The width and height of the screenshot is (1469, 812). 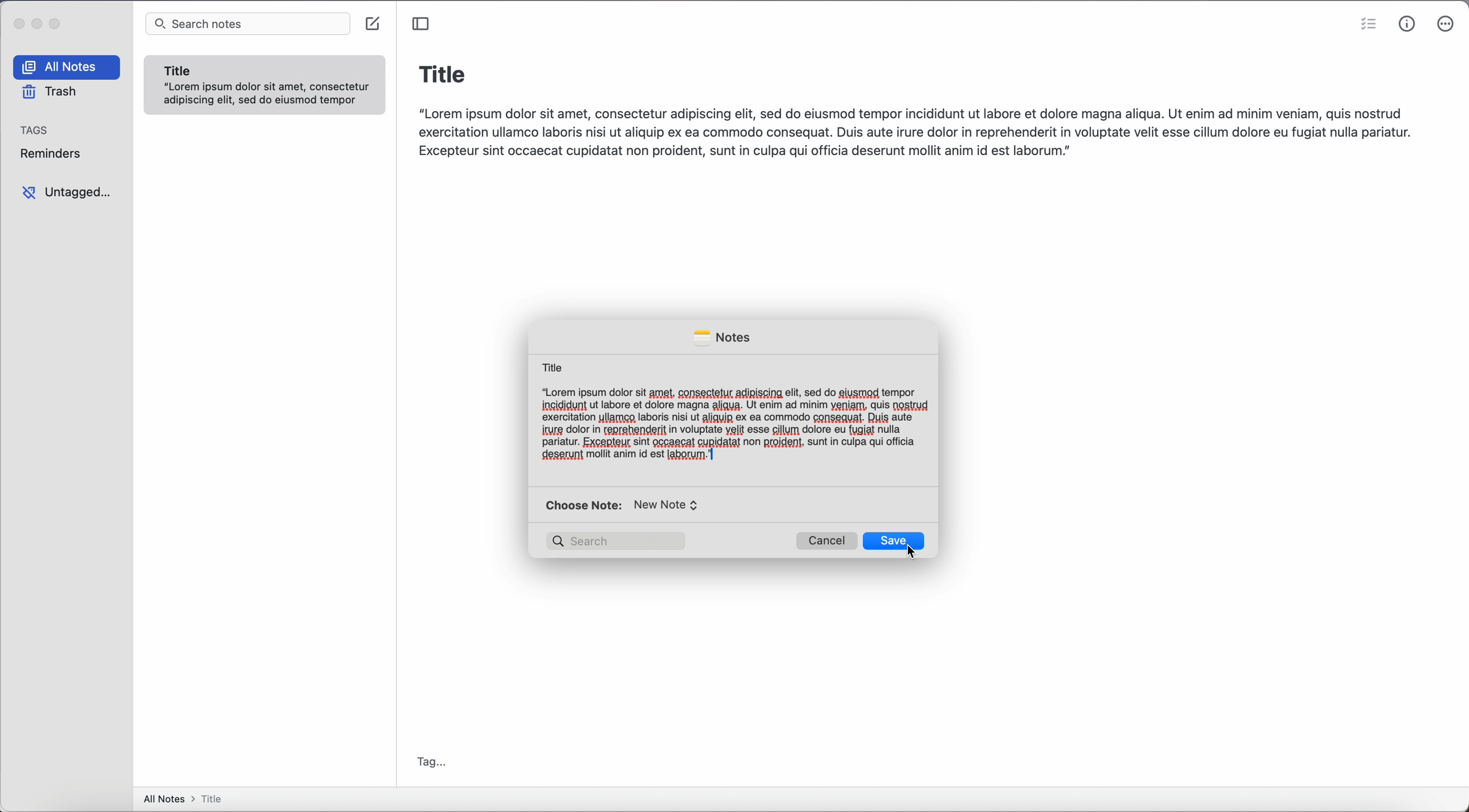 I want to click on check list, so click(x=1366, y=26).